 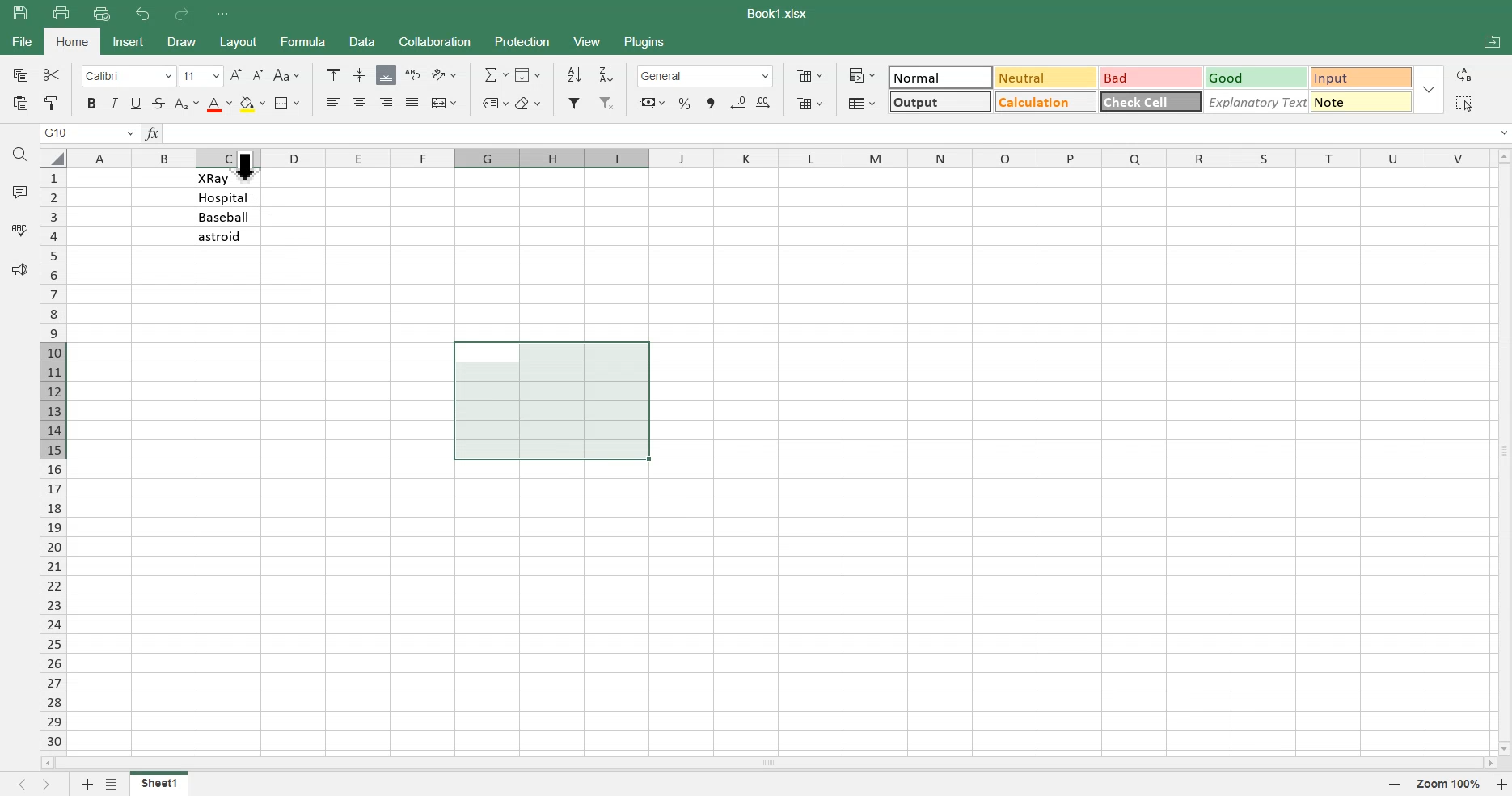 What do you see at coordinates (779, 14) in the screenshot?
I see `Text` at bounding box center [779, 14].